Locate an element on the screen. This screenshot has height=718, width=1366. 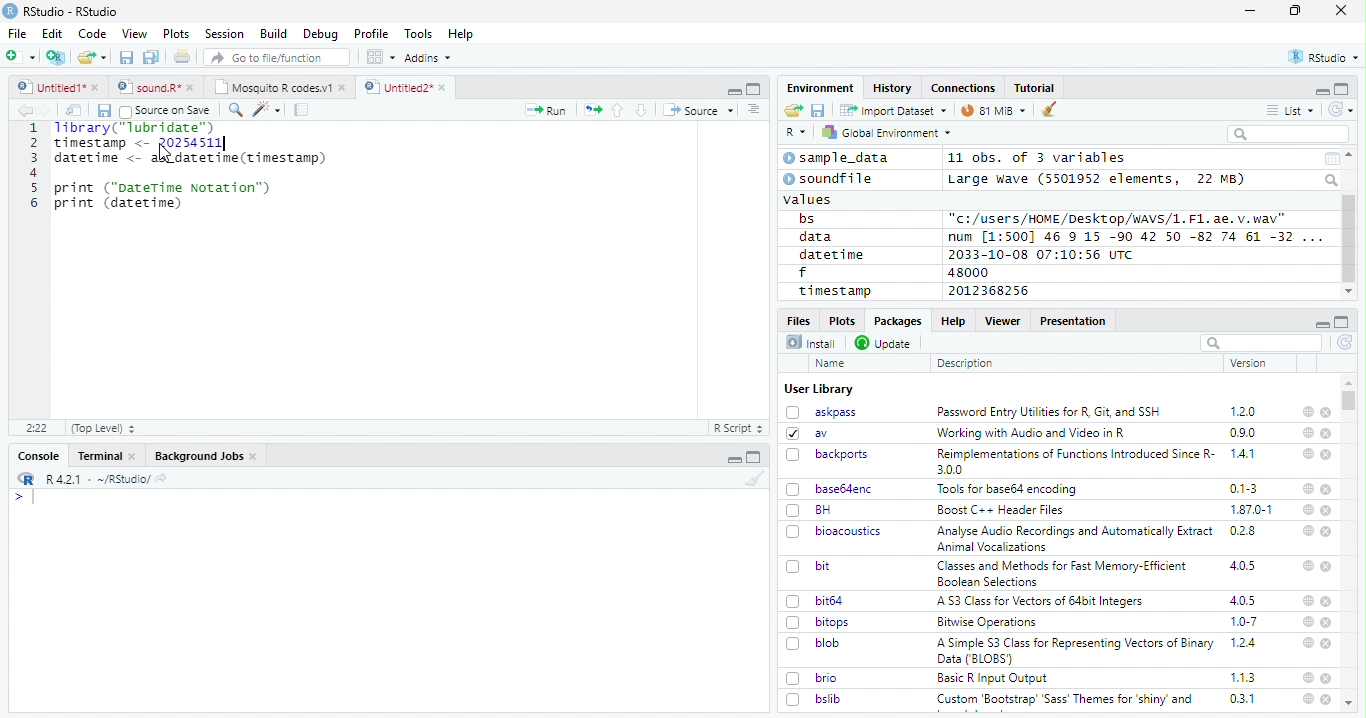
1.0-7 is located at coordinates (1245, 622).